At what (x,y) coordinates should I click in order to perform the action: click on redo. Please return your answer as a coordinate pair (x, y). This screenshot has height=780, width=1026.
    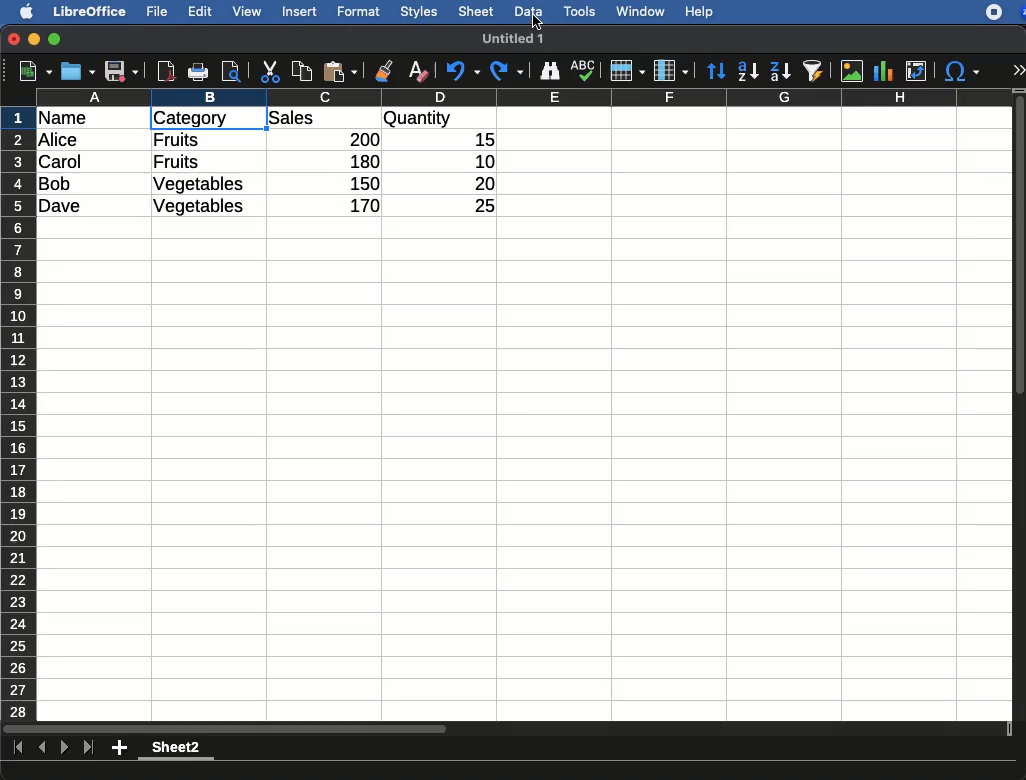
    Looking at the image, I should click on (507, 71).